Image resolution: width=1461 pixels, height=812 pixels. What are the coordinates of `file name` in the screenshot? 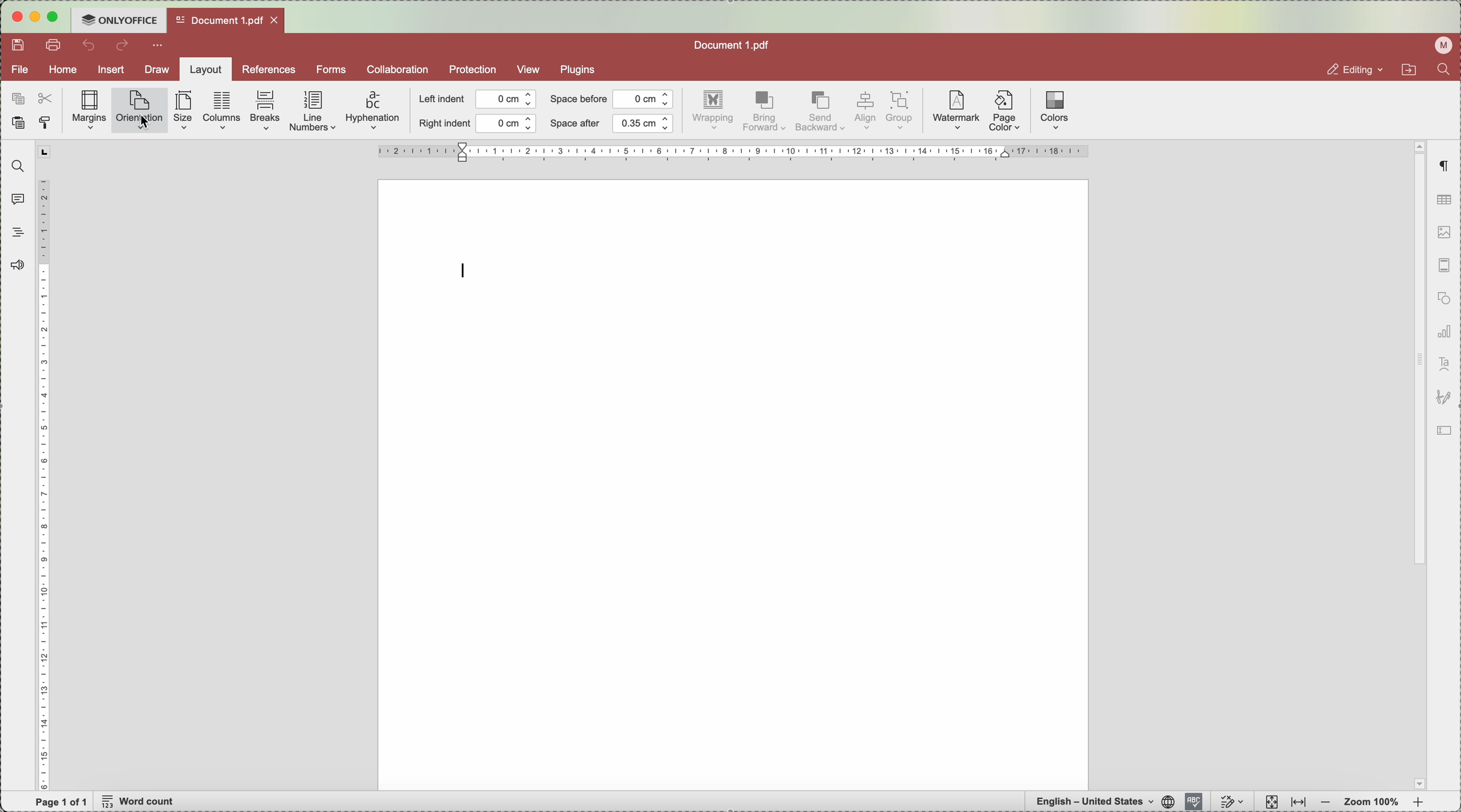 It's located at (734, 44).